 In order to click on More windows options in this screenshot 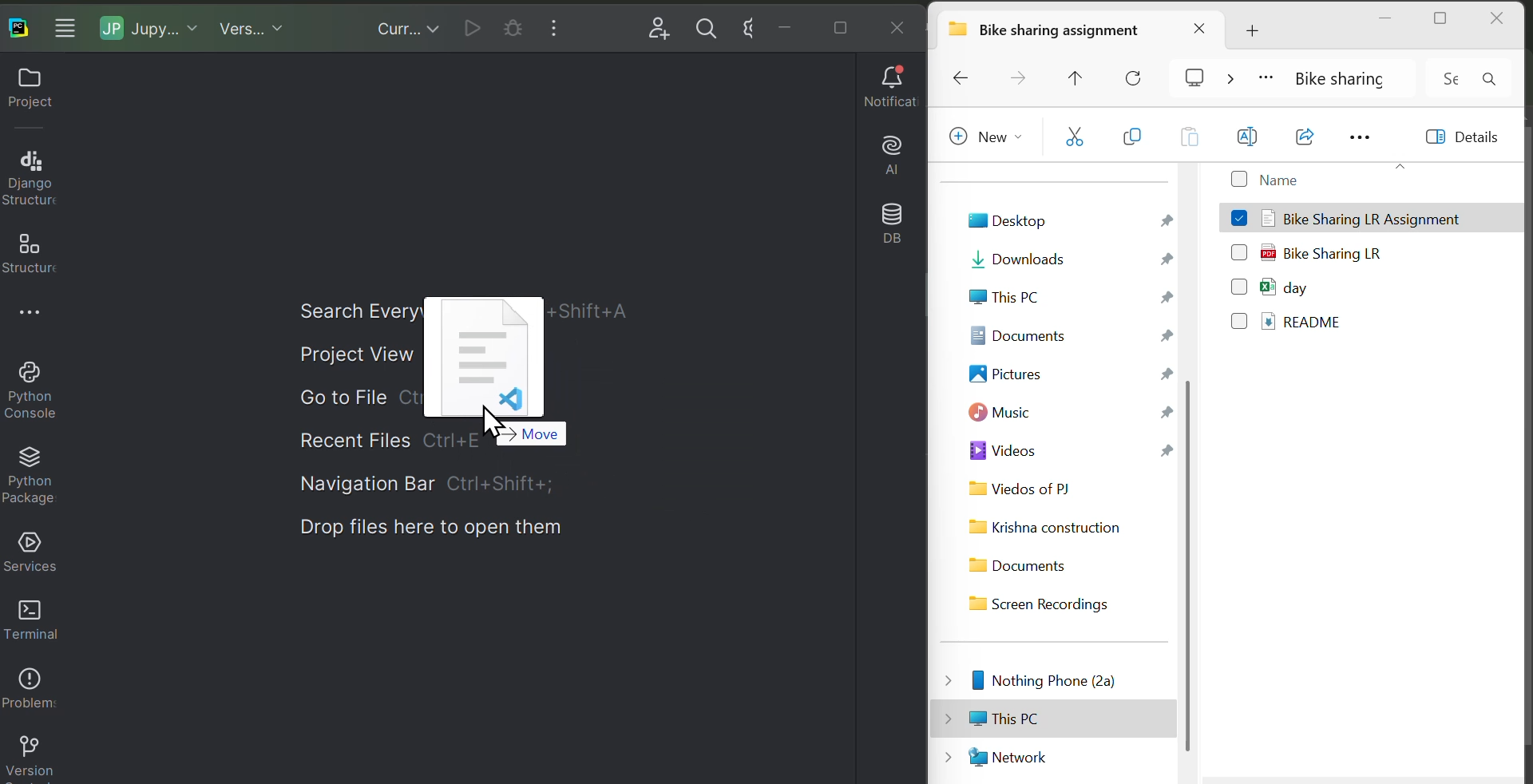, I will do `click(70, 26)`.